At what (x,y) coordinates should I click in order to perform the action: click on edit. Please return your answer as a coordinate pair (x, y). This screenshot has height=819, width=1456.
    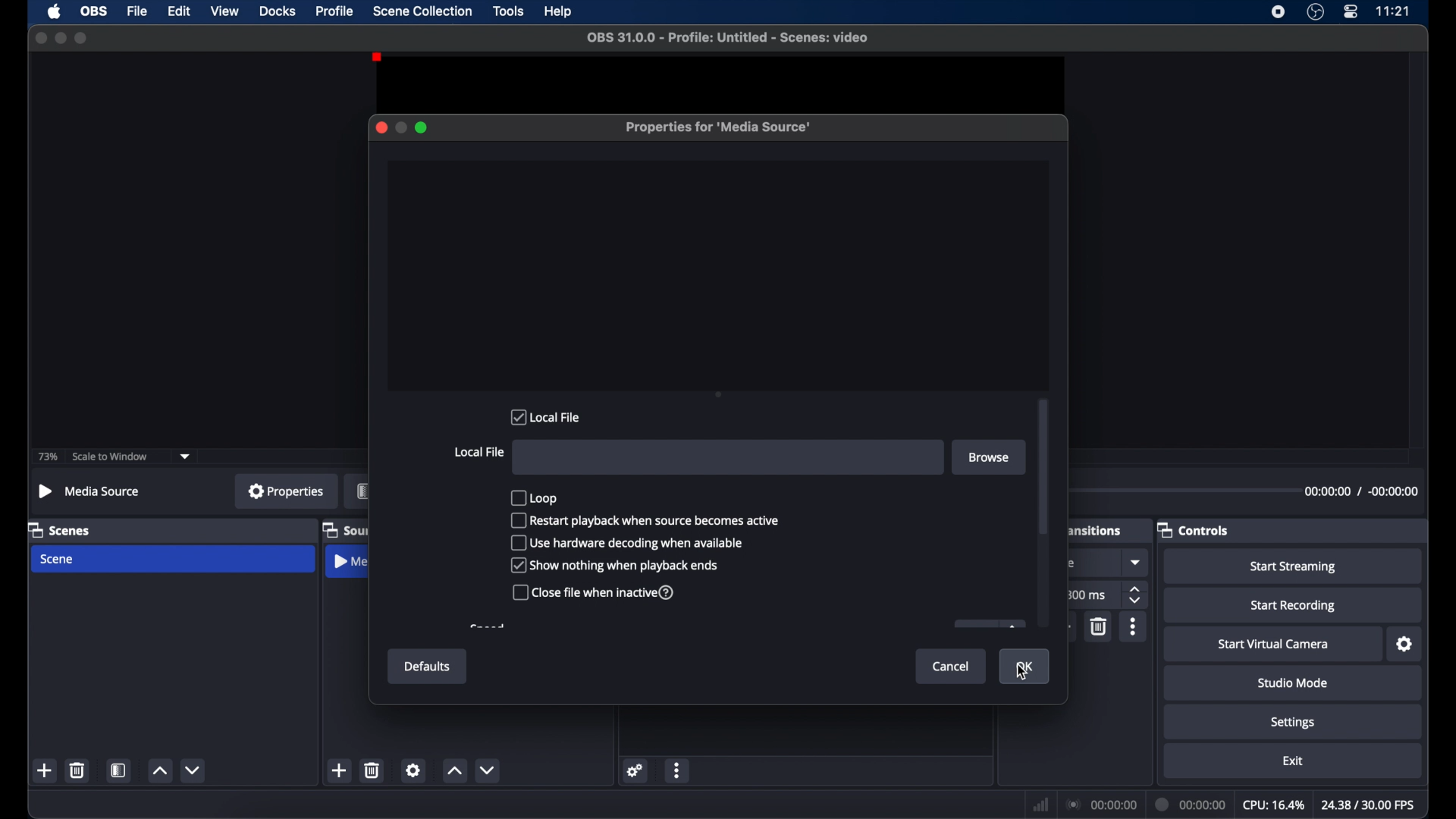
    Looking at the image, I should click on (178, 12).